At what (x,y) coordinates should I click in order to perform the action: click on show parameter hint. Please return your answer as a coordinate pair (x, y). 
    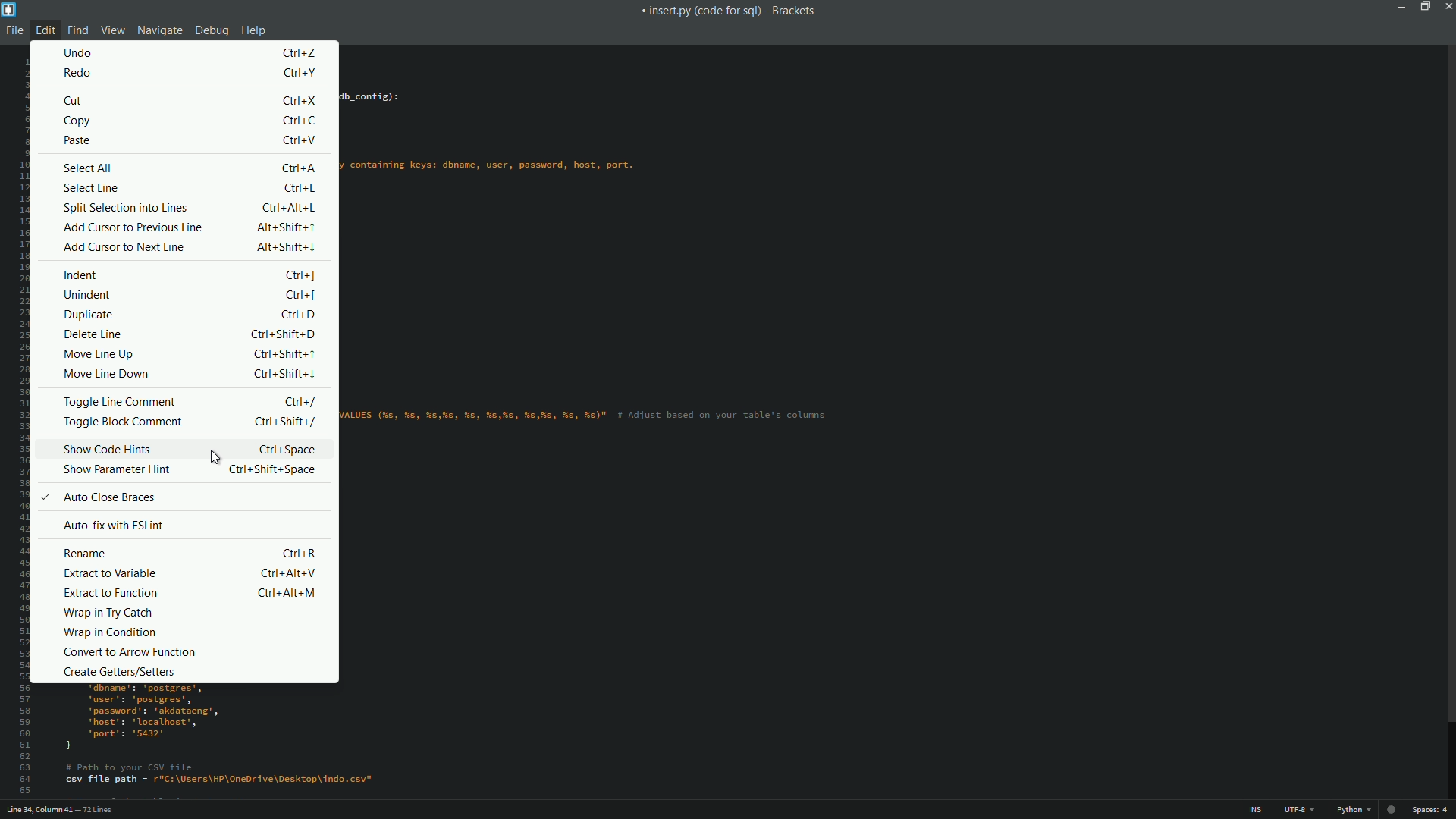
    Looking at the image, I should click on (115, 469).